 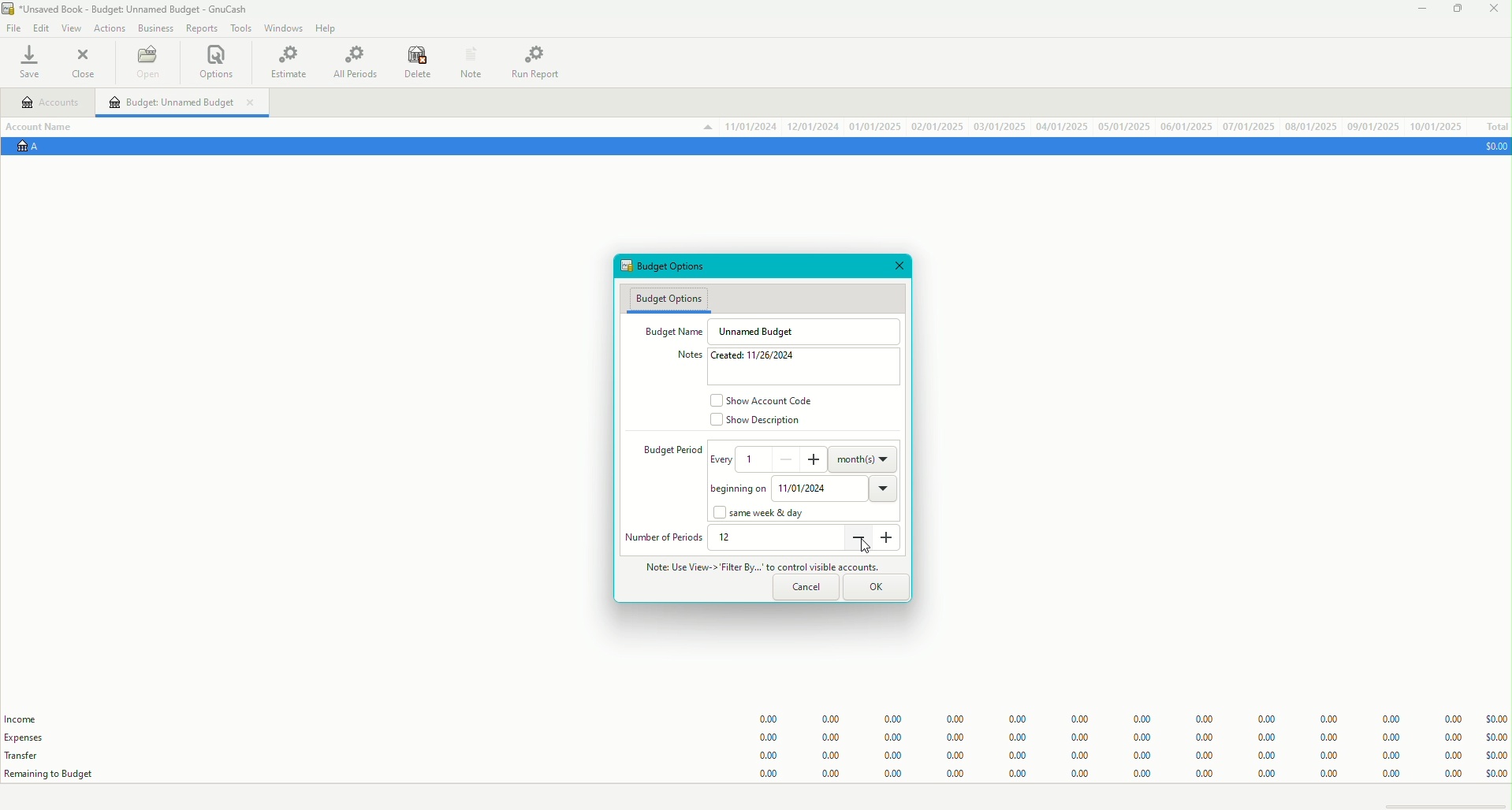 What do you see at coordinates (355, 63) in the screenshot?
I see `All Periods` at bounding box center [355, 63].